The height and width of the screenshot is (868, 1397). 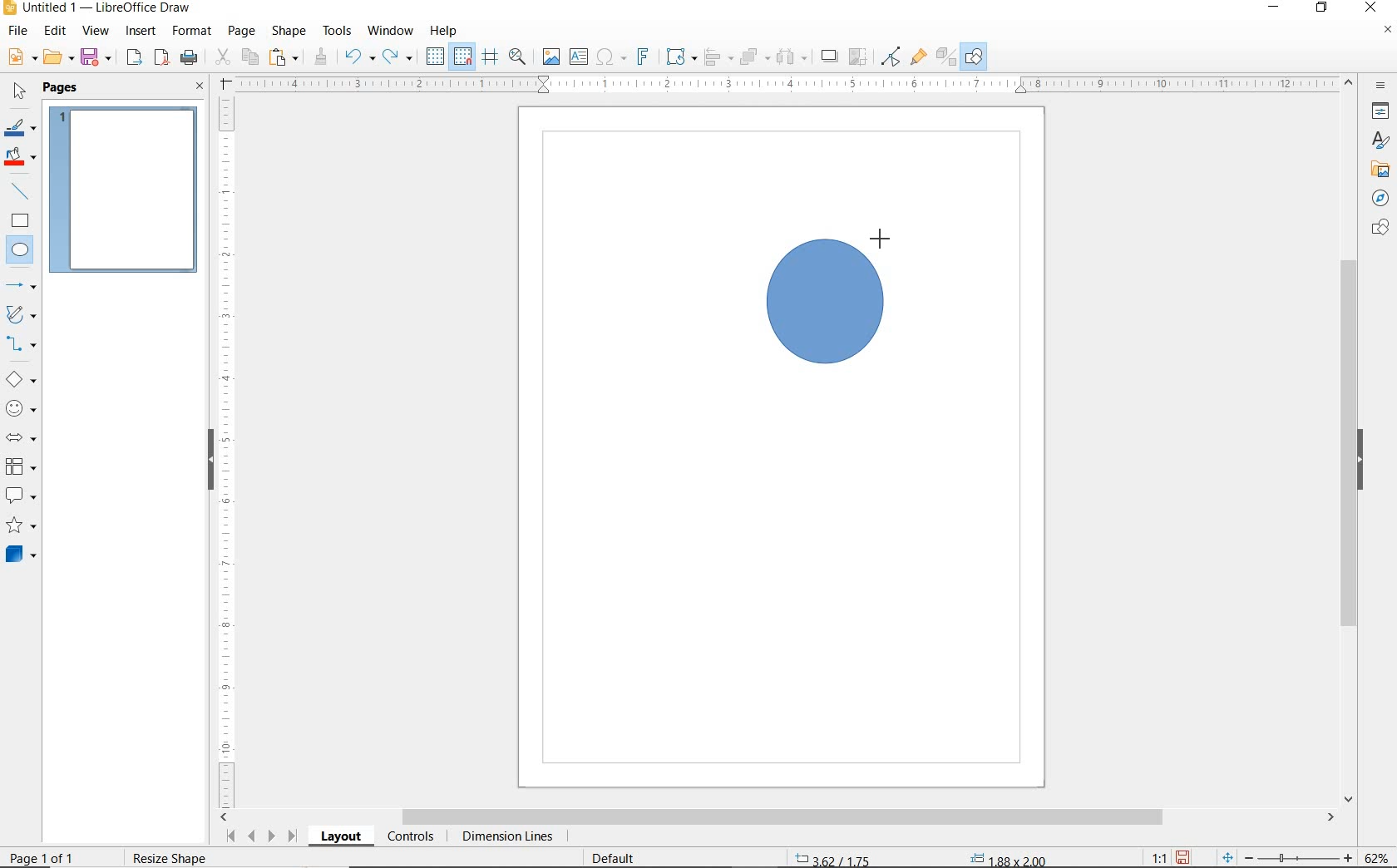 What do you see at coordinates (754, 57) in the screenshot?
I see `ARRANGE` at bounding box center [754, 57].